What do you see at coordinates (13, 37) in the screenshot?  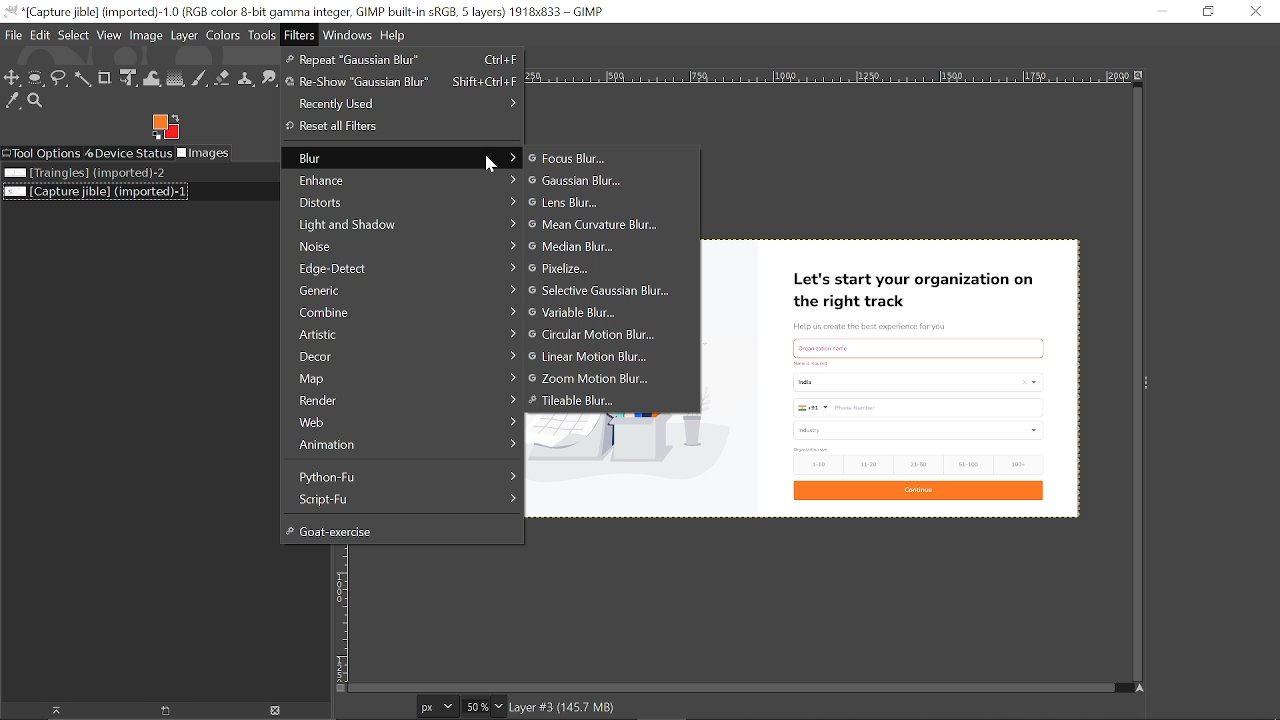 I see `File` at bounding box center [13, 37].